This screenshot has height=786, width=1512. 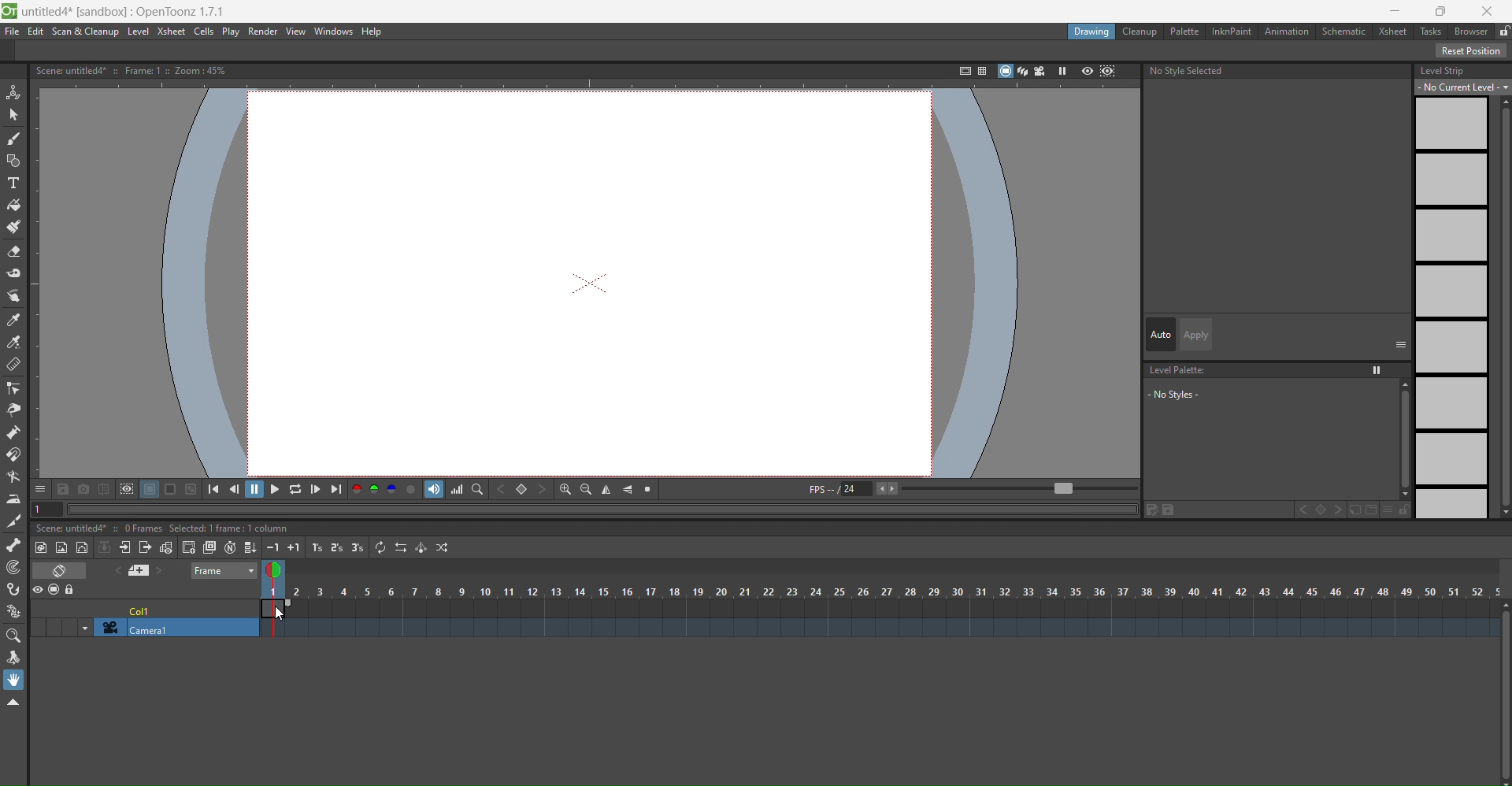 I want to click on file, so click(x=13, y=32).